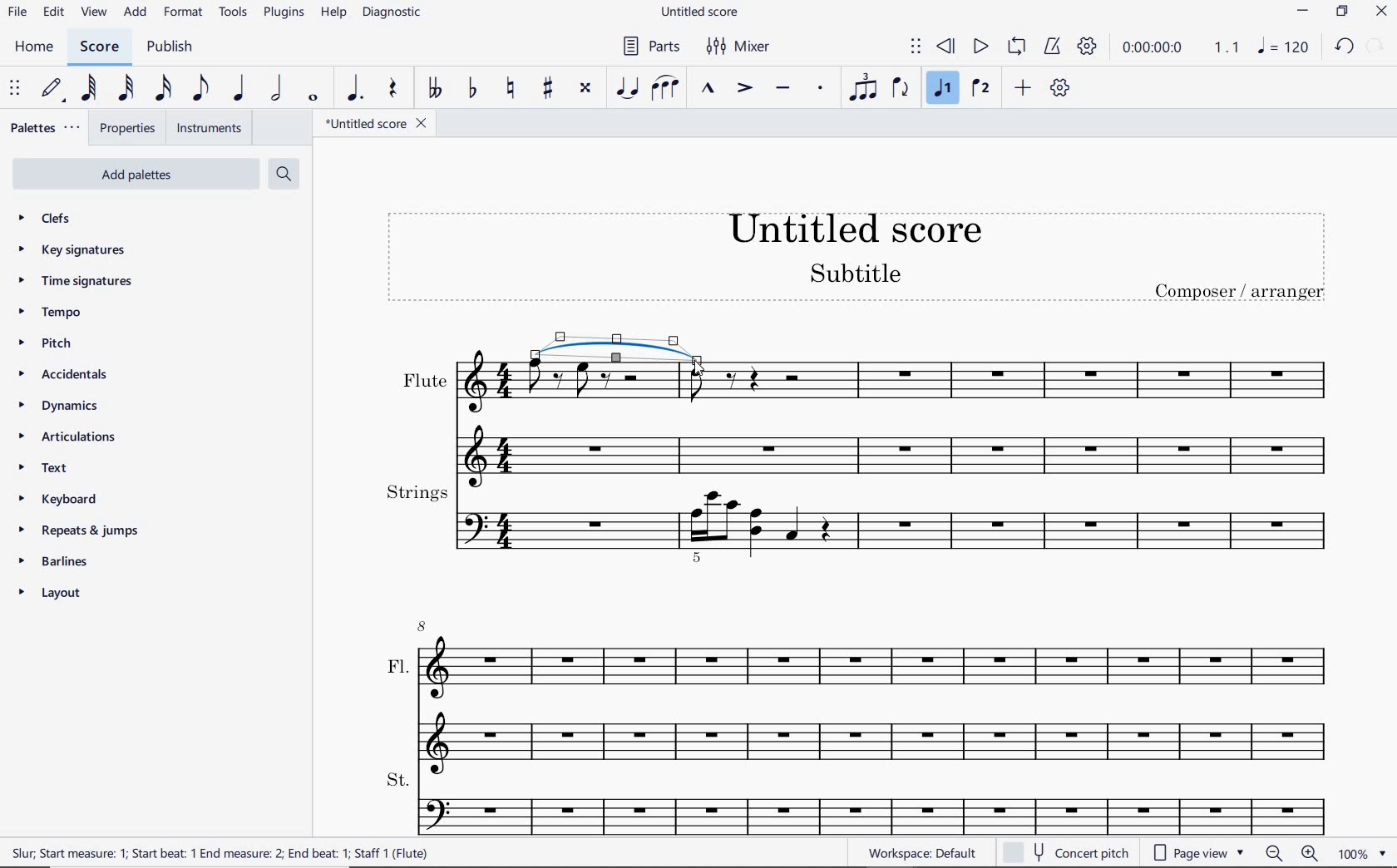  Describe the element at coordinates (130, 128) in the screenshot. I see `PROPERTIES` at that location.